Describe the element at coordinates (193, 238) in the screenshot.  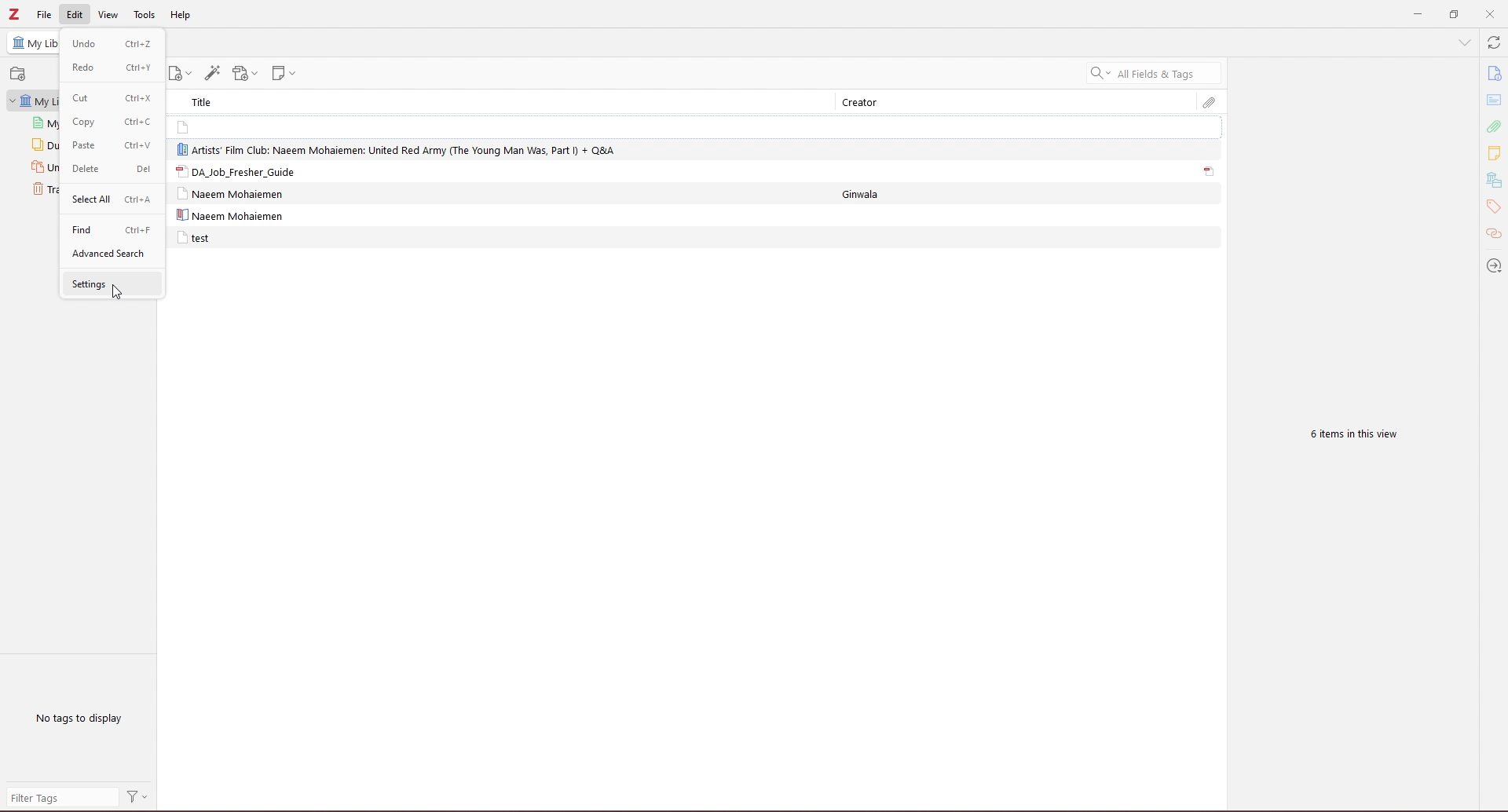
I see `test` at that location.